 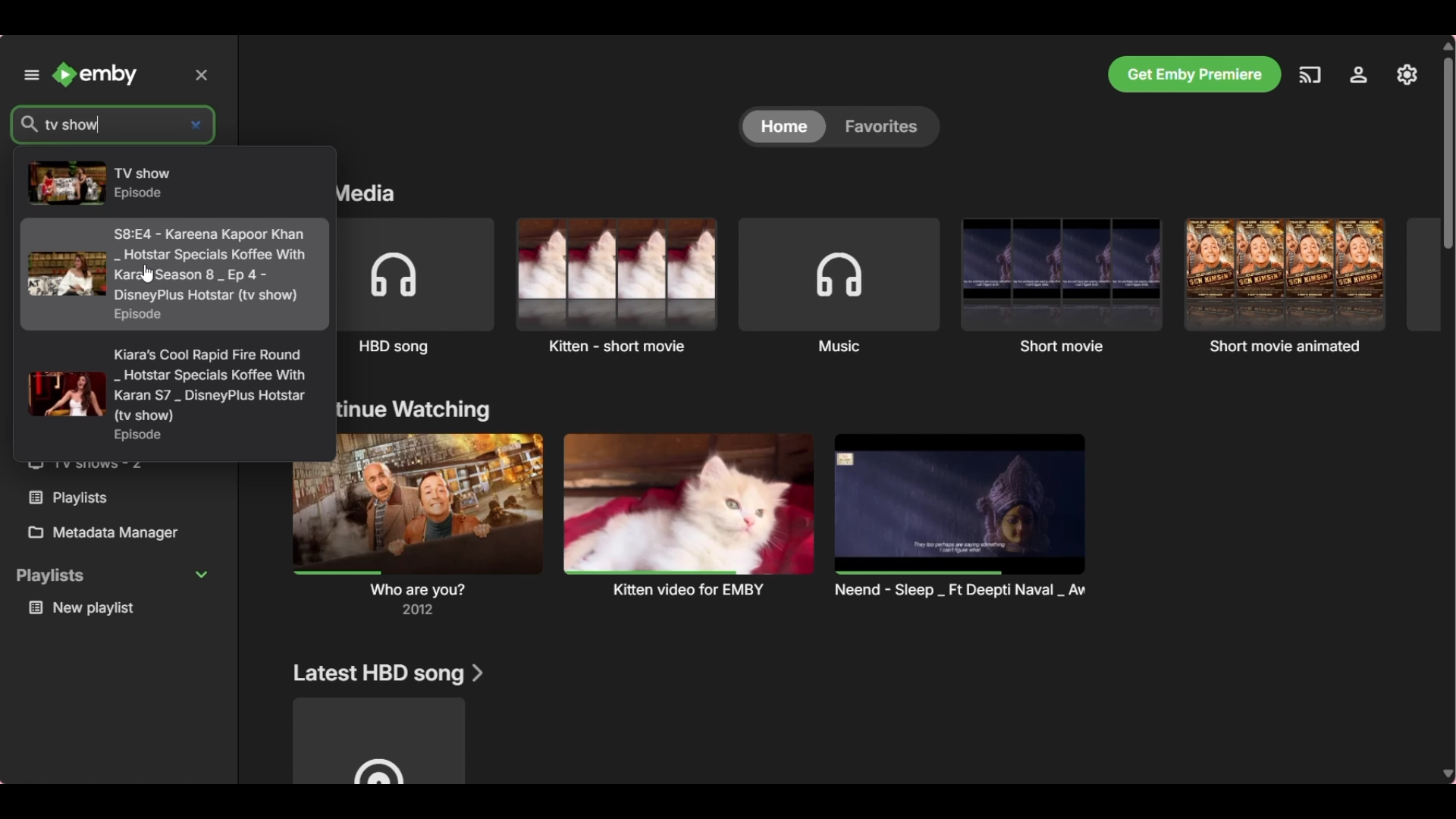 What do you see at coordinates (1310, 75) in the screenshot?
I see `Play on another device` at bounding box center [1310, 75].